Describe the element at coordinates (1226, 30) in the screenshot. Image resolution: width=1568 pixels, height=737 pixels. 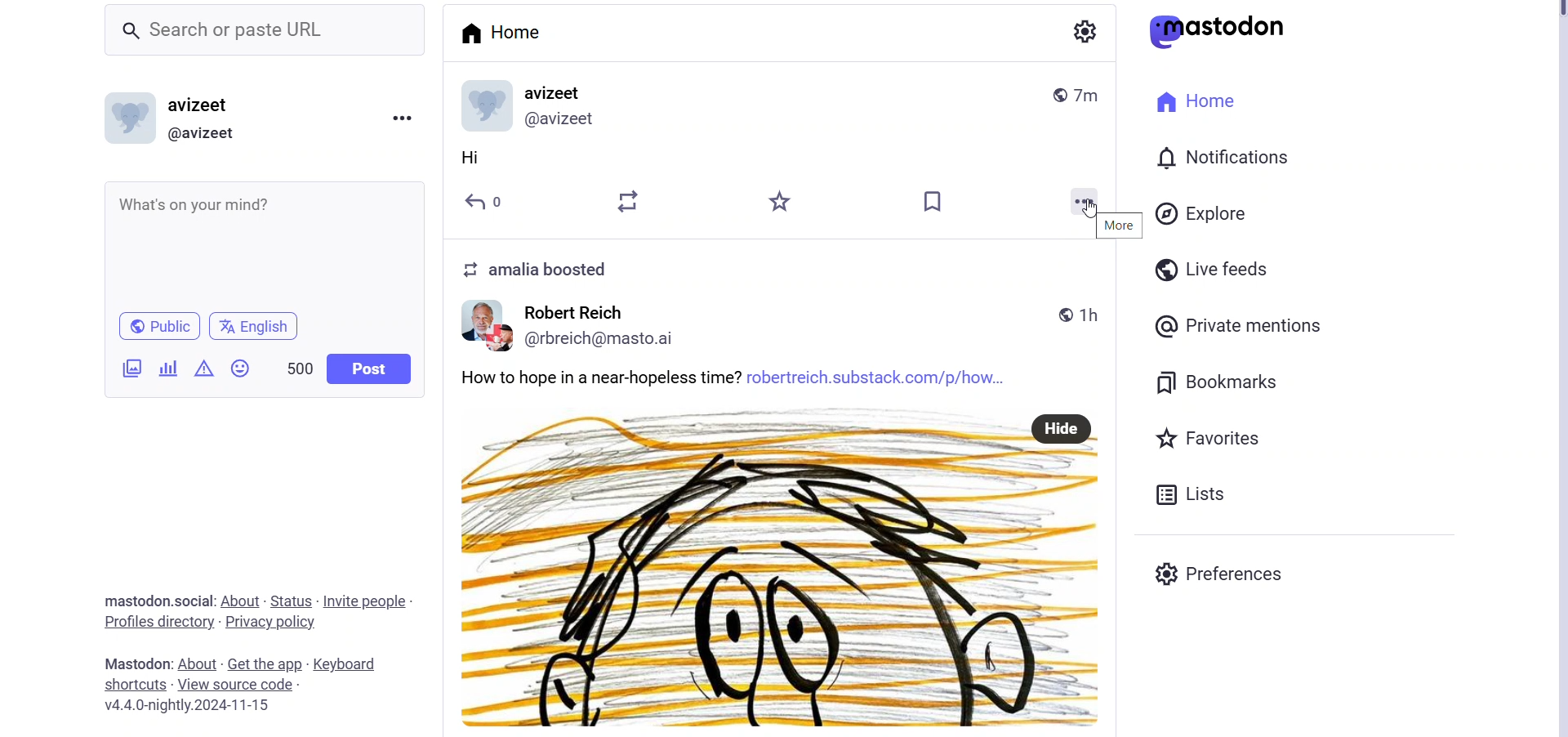
I see `Logo` at that location.